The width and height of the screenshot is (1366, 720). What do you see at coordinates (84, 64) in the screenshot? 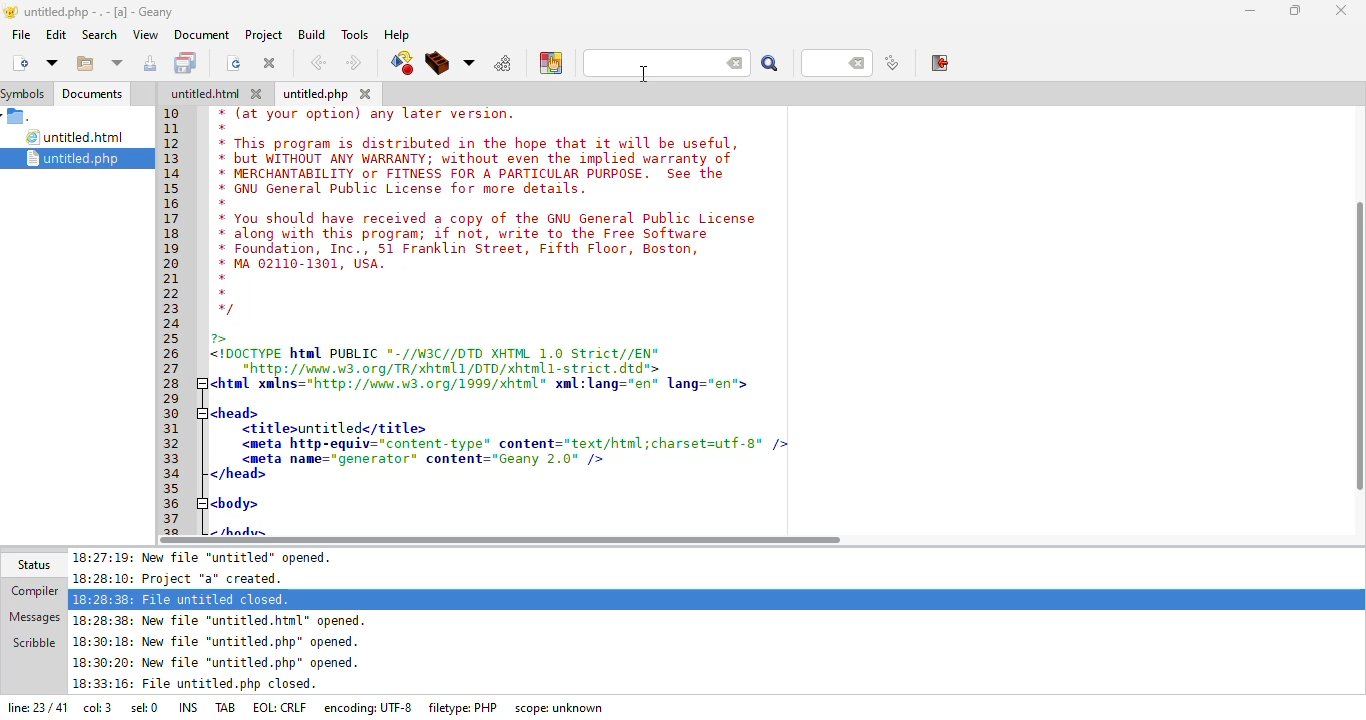
I see `open existing` at bounding box center [84, 64].